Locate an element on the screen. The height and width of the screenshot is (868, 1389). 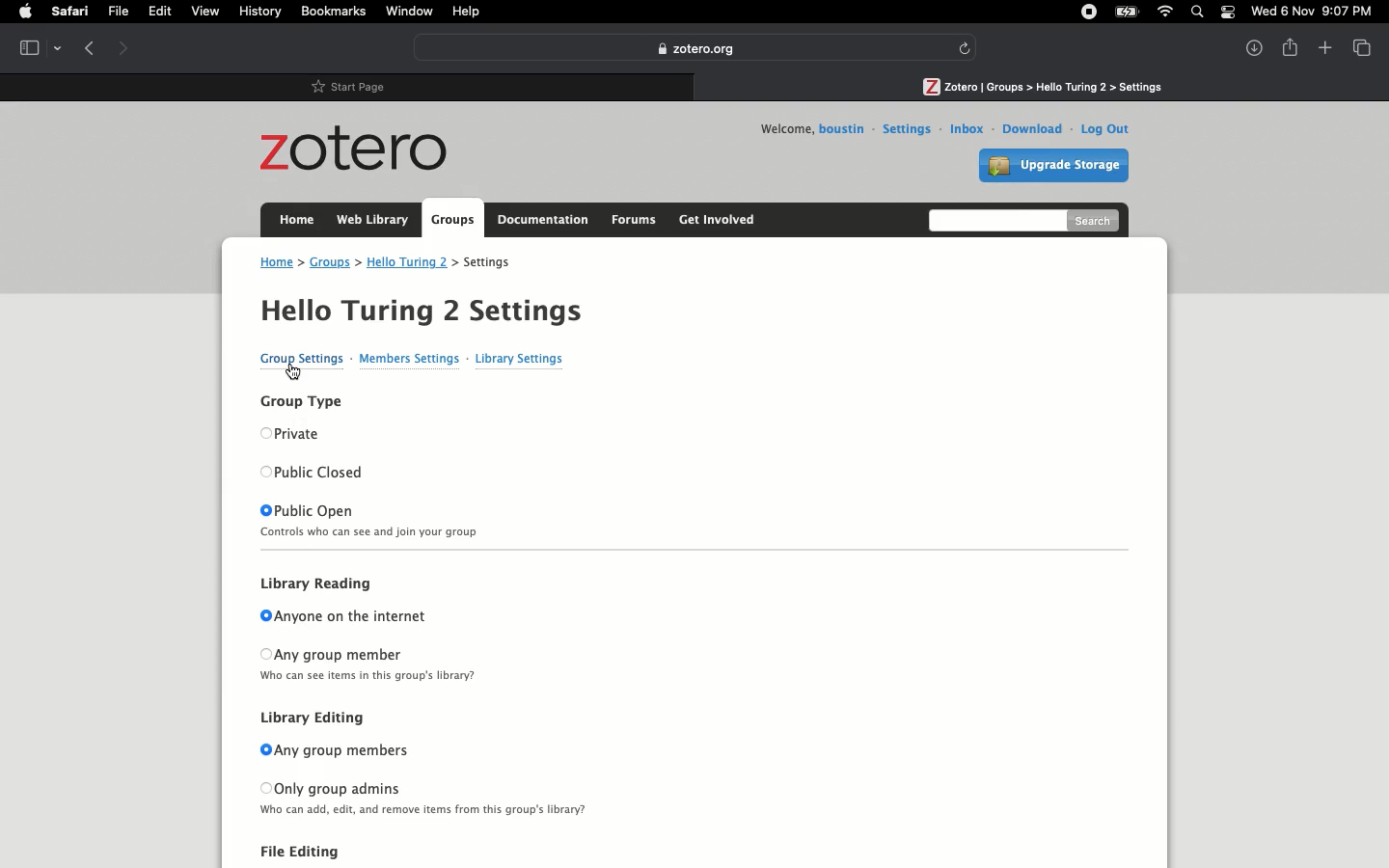
Home is located at coordinates (292, 218).